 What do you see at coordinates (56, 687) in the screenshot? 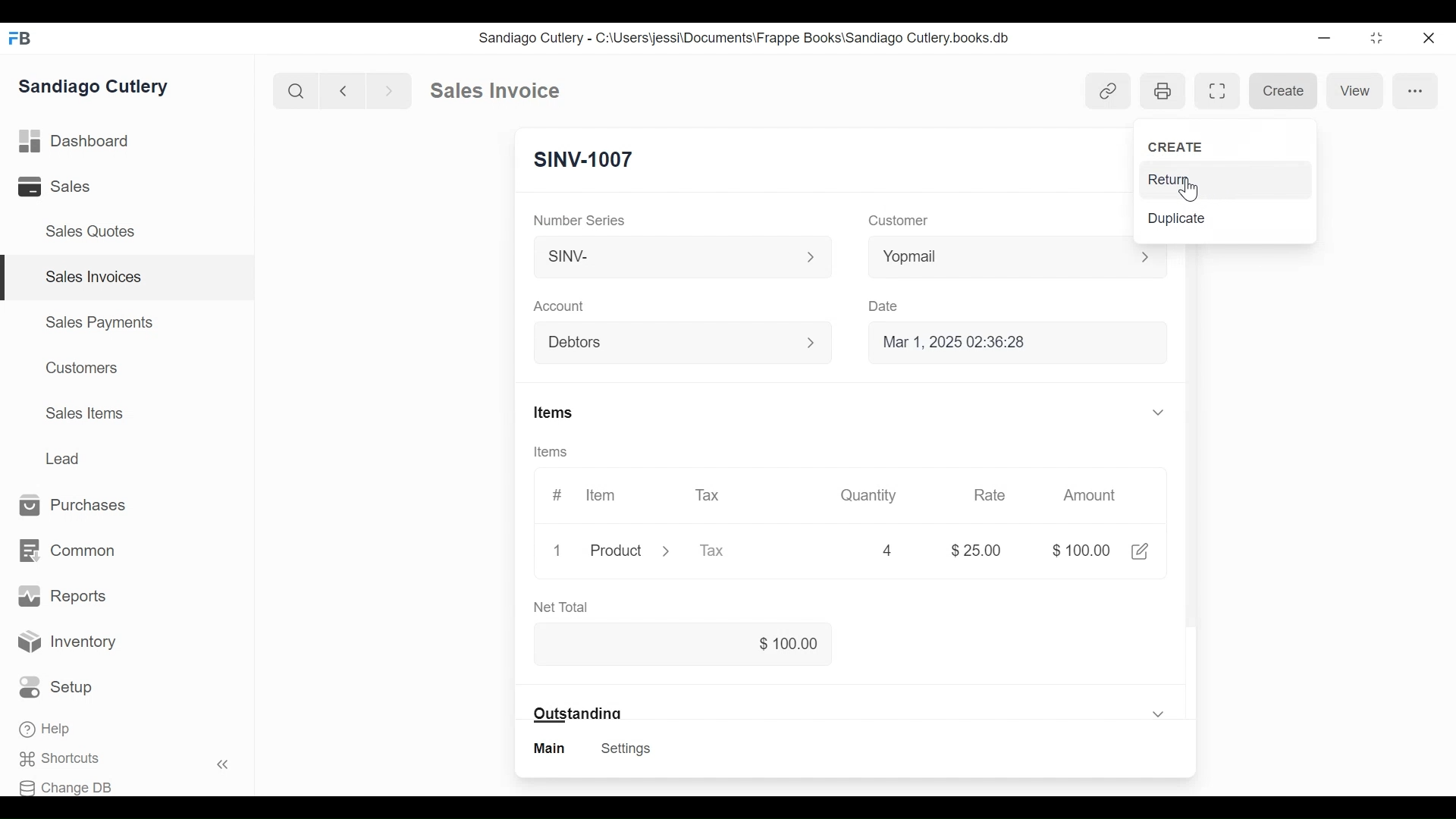
I see `Setup` at bounding box center [56, 687].